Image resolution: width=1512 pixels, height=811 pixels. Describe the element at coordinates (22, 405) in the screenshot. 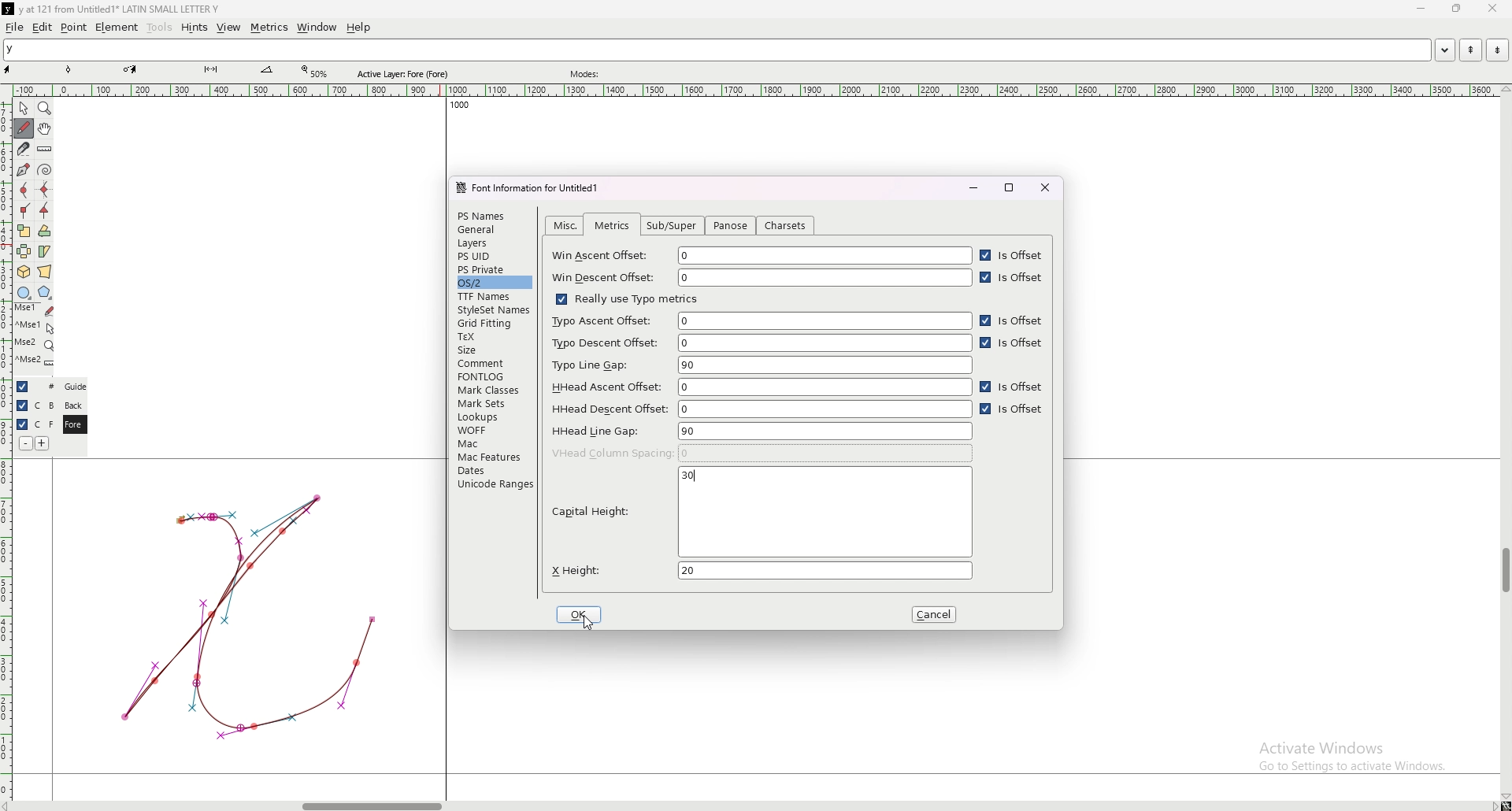

I see `hide layer` at that location.